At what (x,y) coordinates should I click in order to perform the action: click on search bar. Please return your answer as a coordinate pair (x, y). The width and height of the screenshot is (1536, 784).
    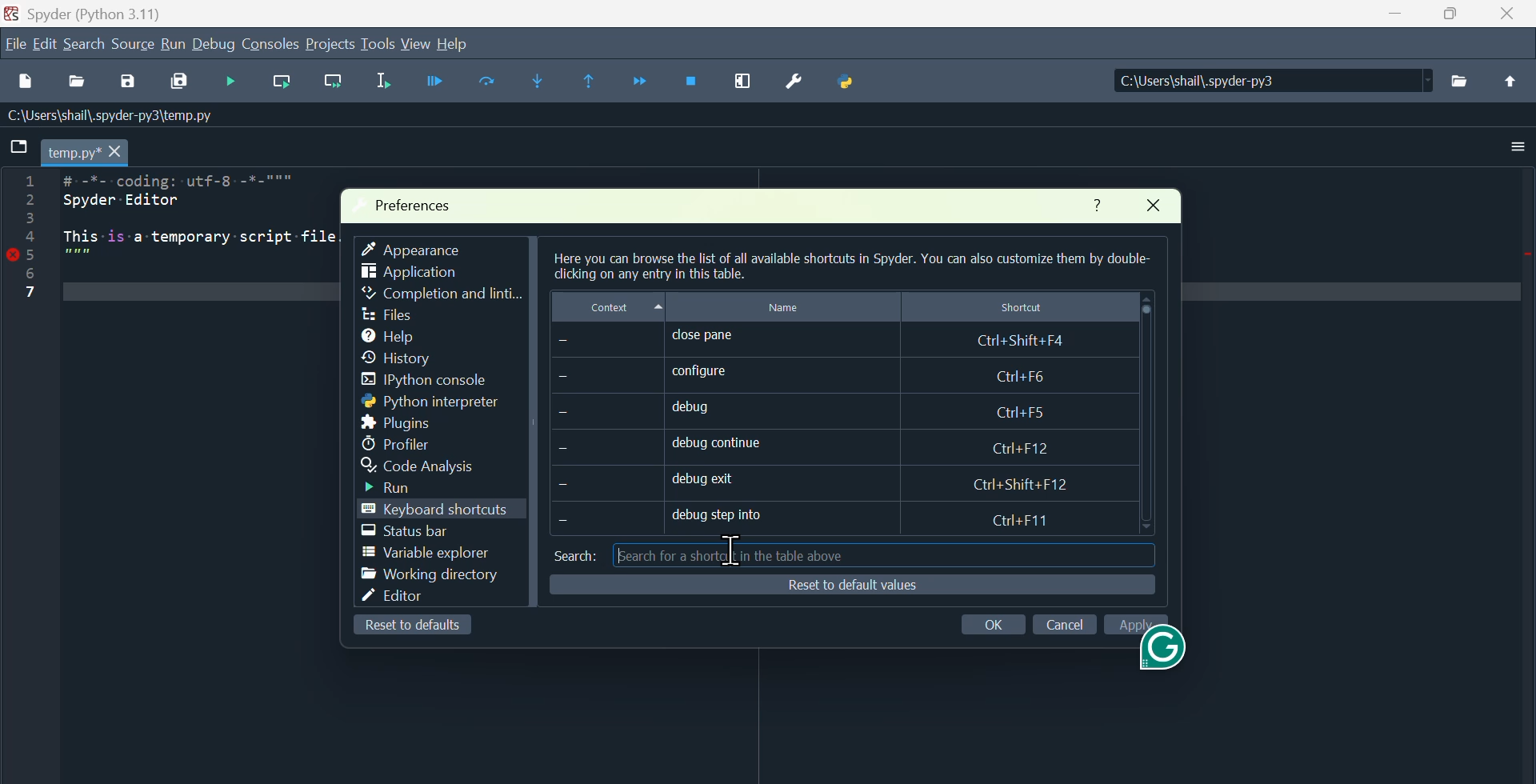
    Looking at the image, I should click on (857, 554).